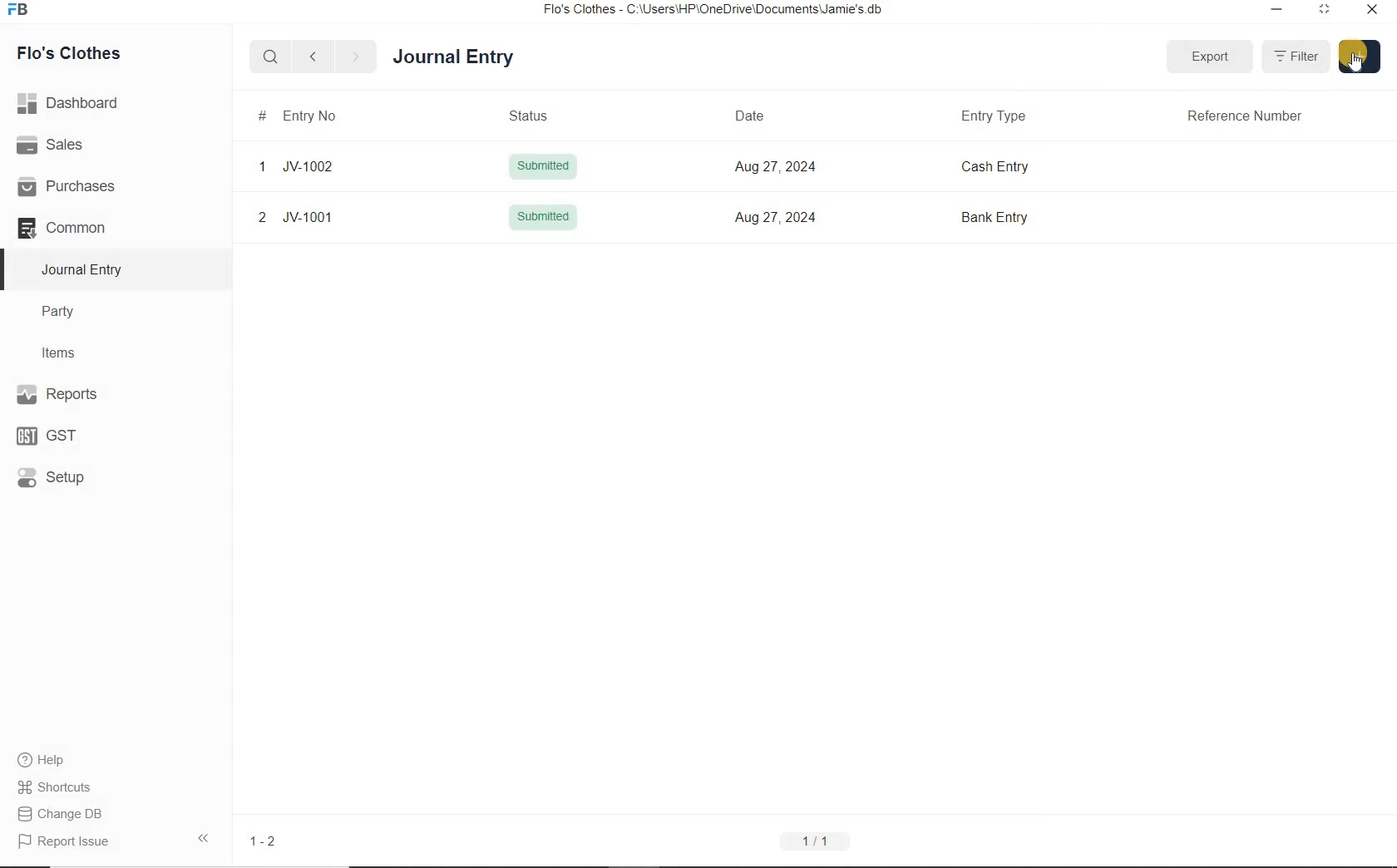 The width and height of the screenshot is (1397, 868). What do you see at coordinates (714, 12) in the screenshot?
I see `Flo's Clothes - C:\Users\HP\OneDrive\Documents\Jamie's.db` at bounding box center [714, 12].